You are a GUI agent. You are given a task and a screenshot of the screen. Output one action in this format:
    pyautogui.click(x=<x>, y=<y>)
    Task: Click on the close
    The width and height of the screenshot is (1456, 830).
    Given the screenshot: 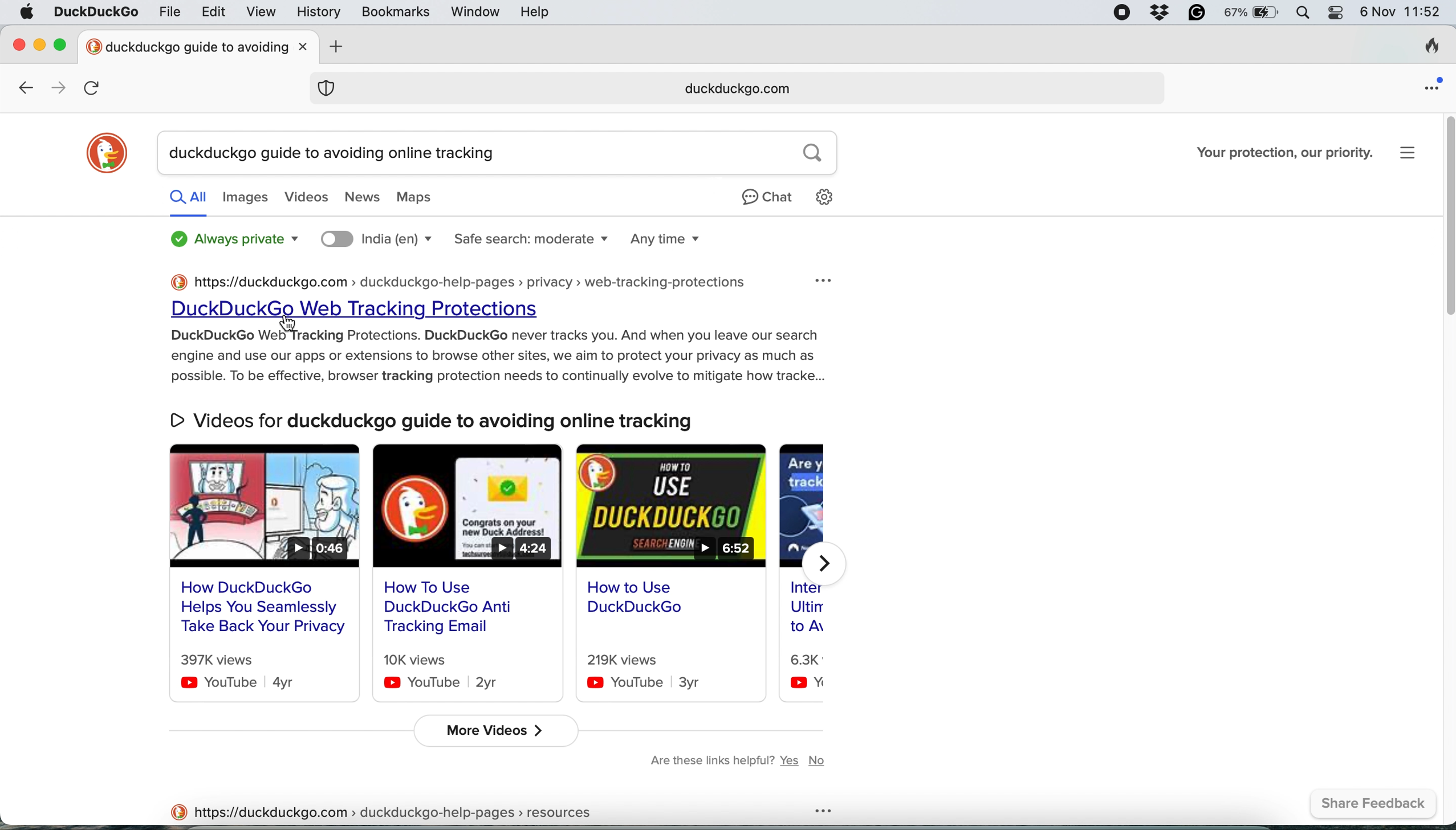 What is the action you would take?
    pyautogui.click(x=299, y=48)
    